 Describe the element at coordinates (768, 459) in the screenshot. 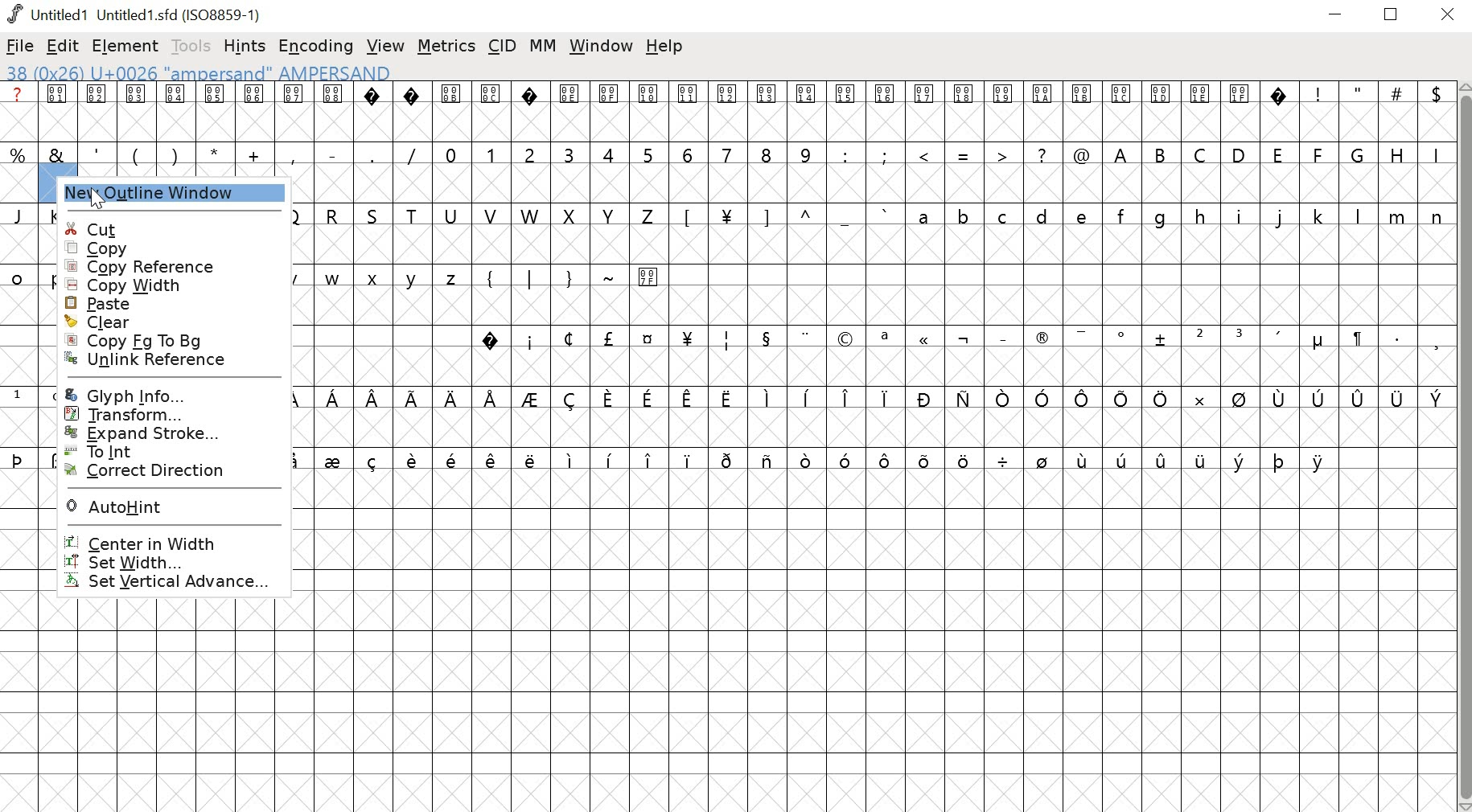

I see `symbol` at that location.